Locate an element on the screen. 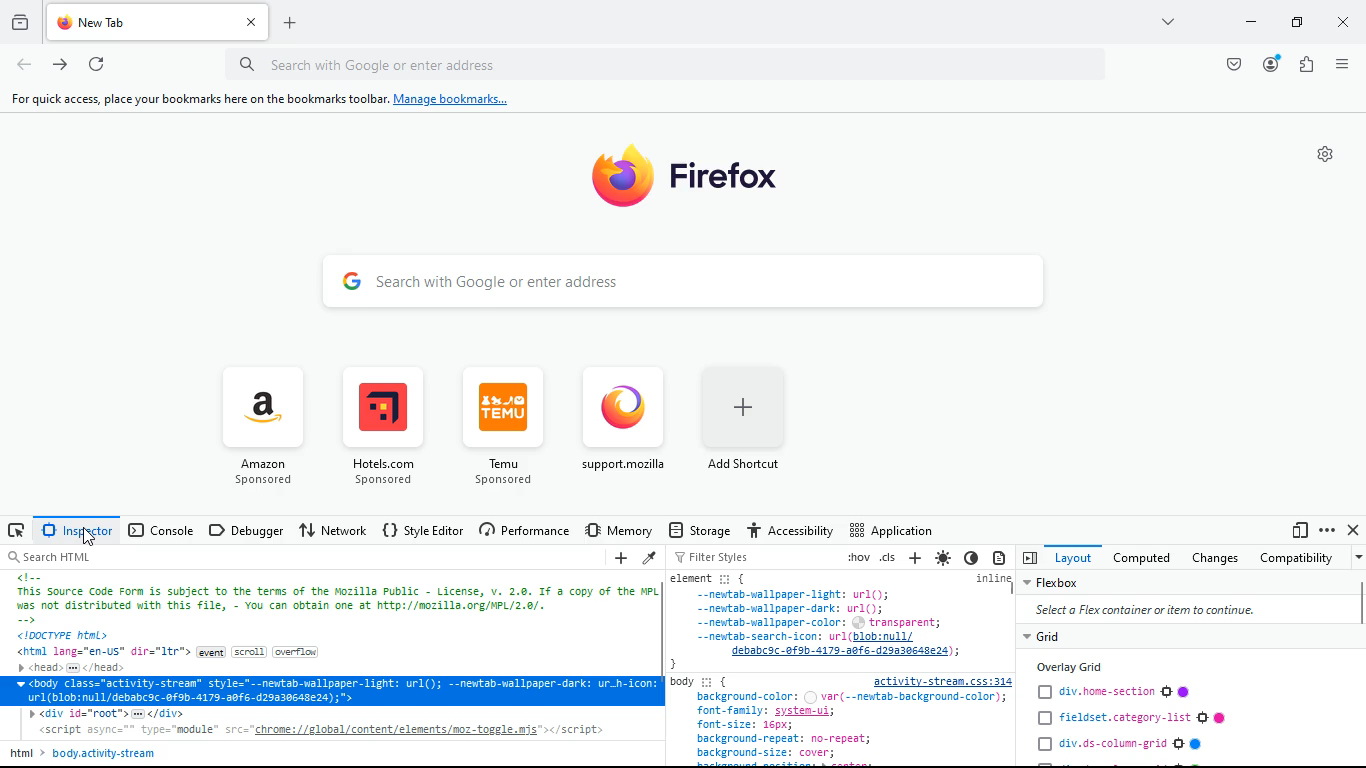 This screenshot has width=1366, height=768. dark is located at coordinates (972, 558).